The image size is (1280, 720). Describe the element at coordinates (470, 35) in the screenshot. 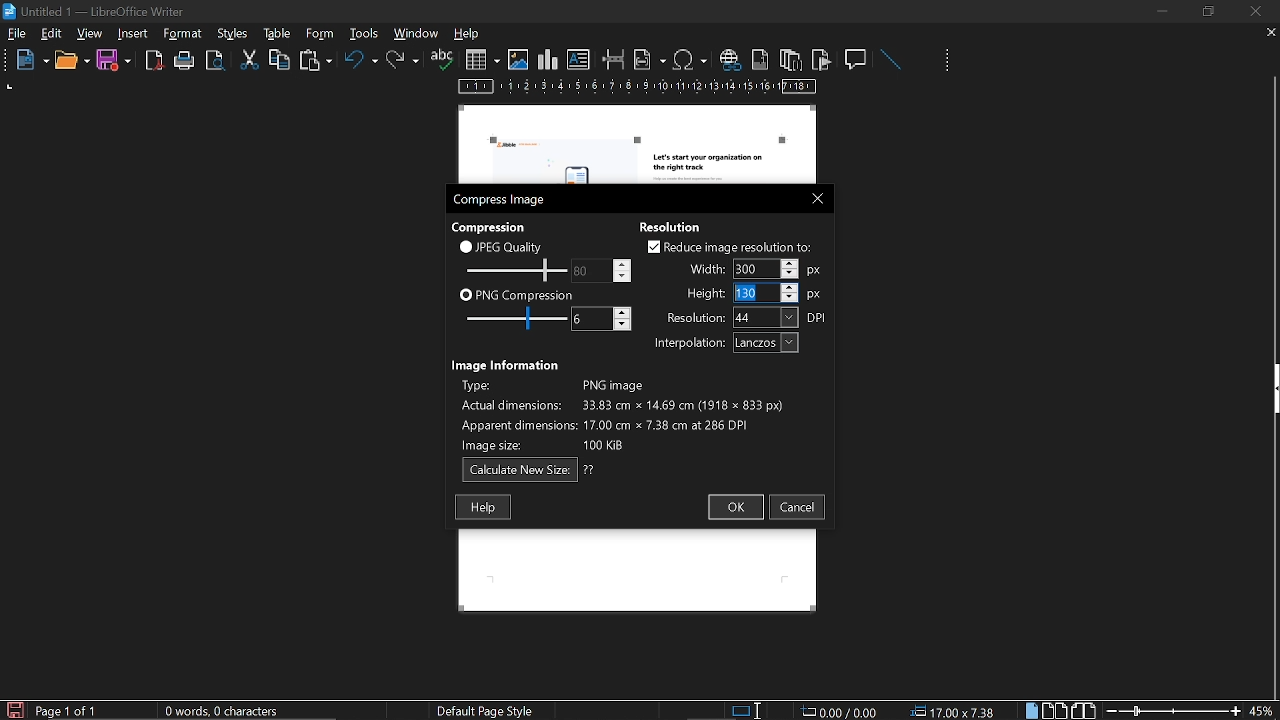

I see `help` at that location.